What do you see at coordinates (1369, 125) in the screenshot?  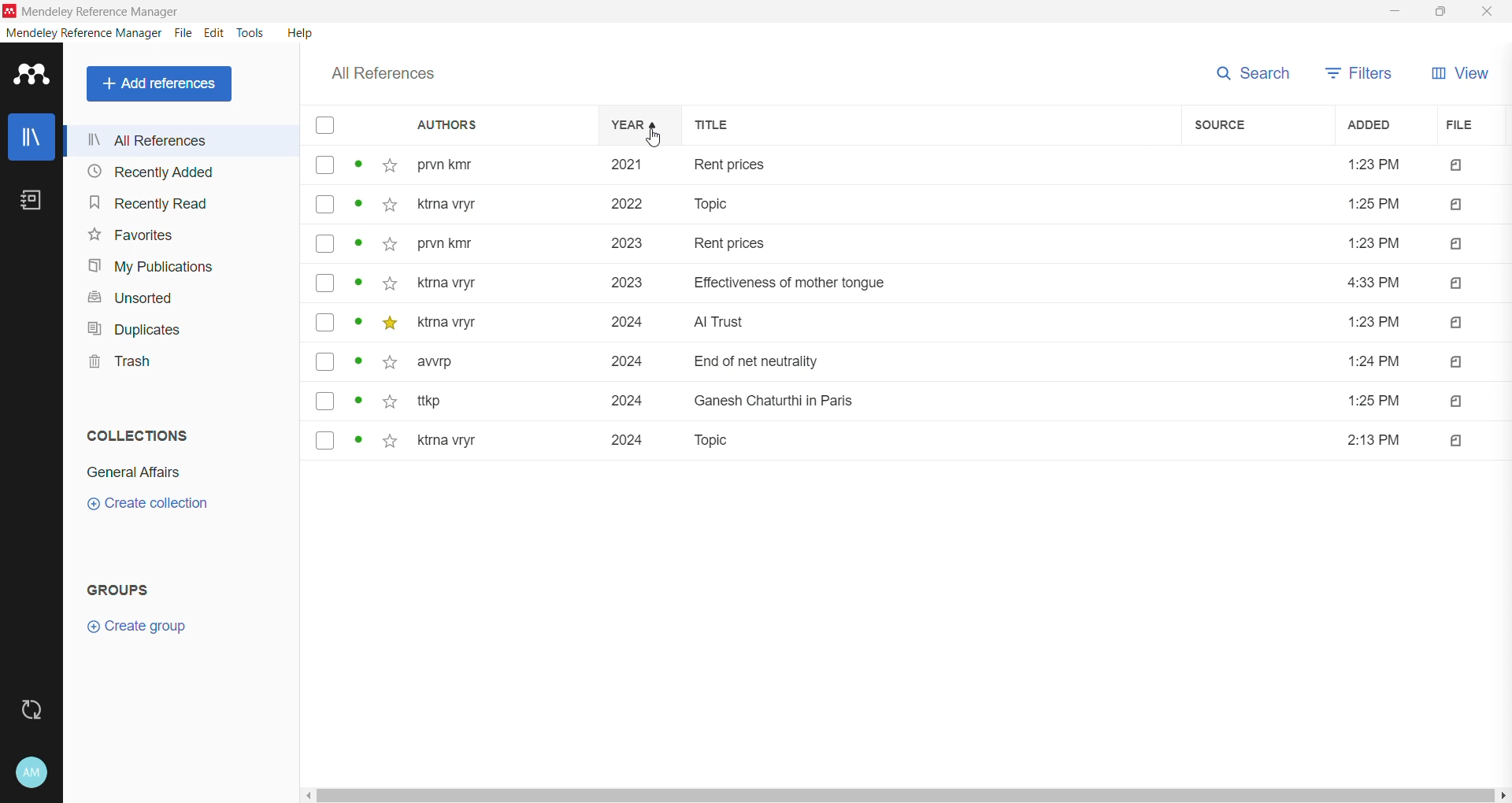 I see `added` at bounding box center [1369, 125].